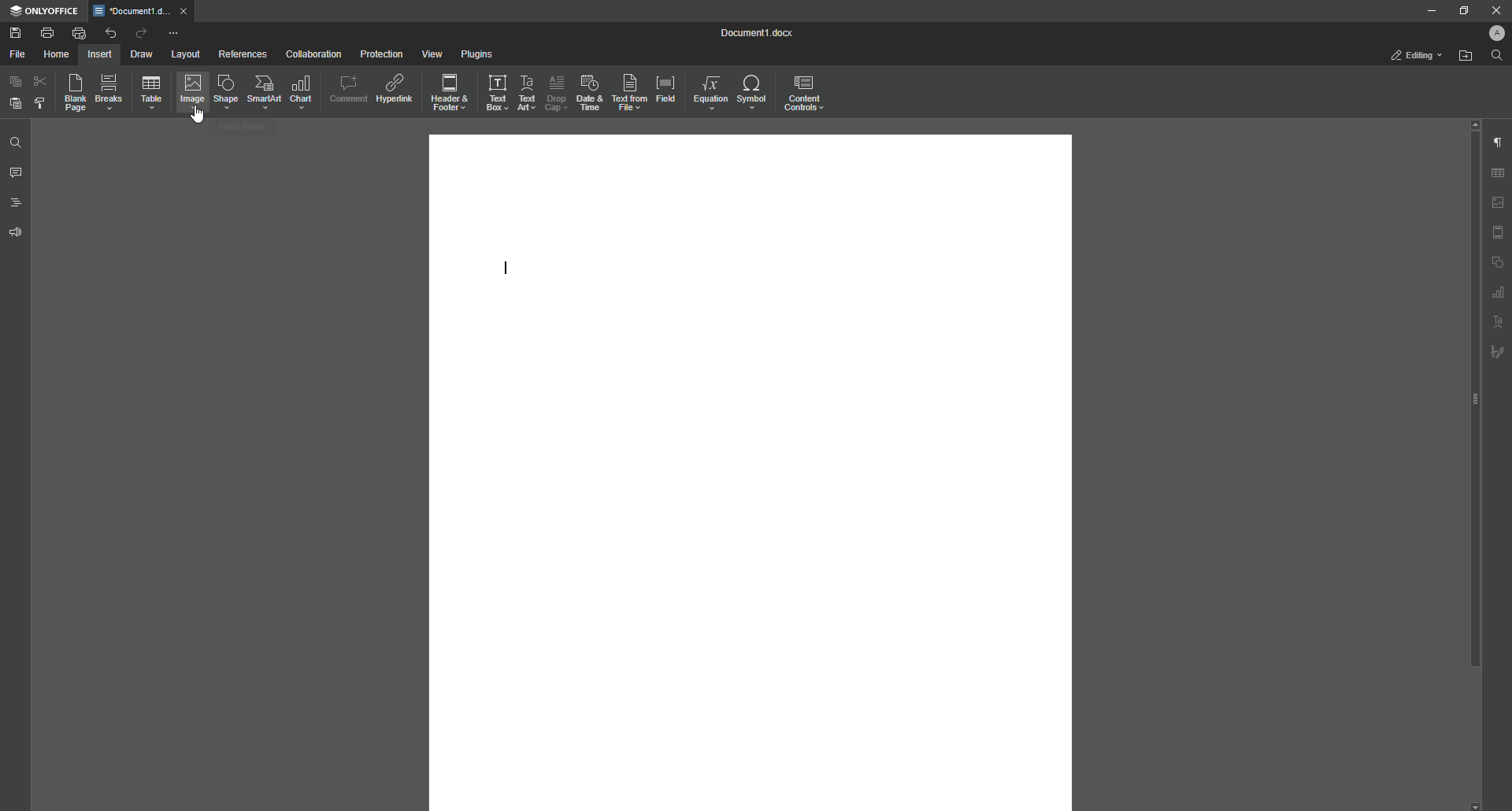 The width and height of the screenshot is (1512, 811). I want to click on Profile, so click(1494, 33).